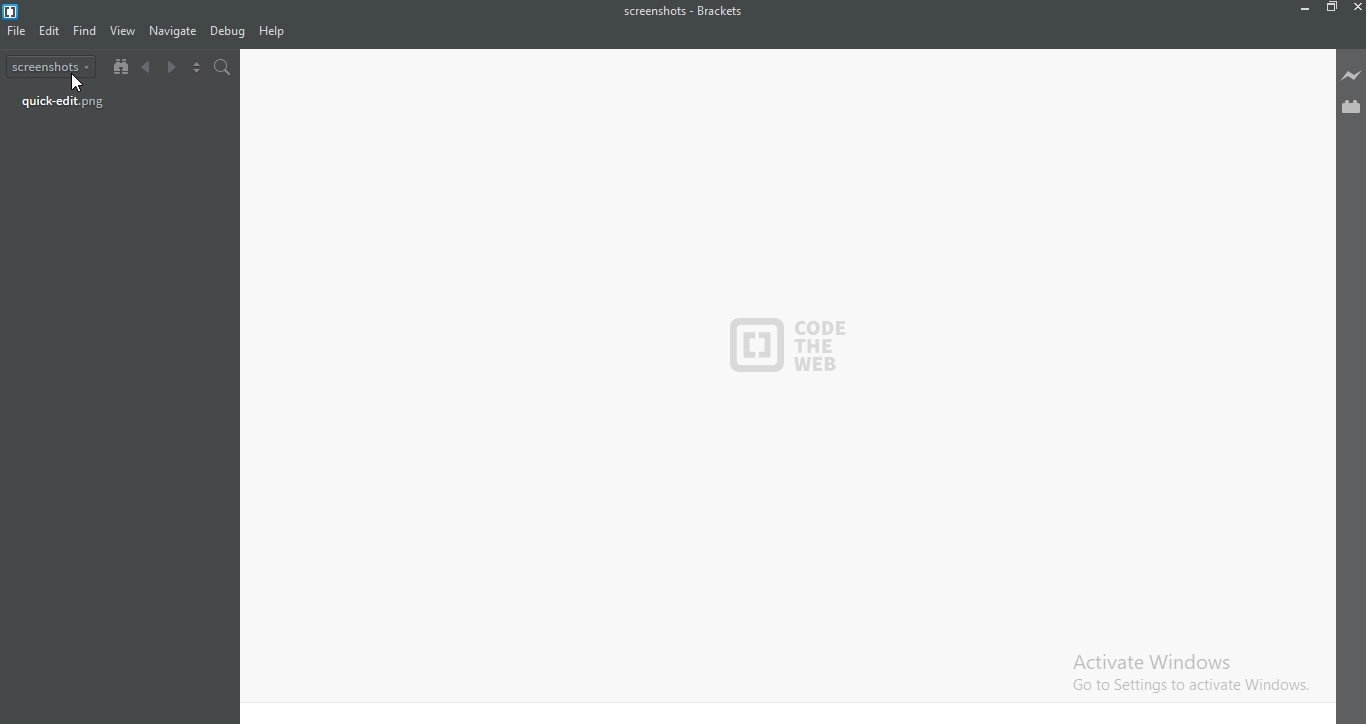  I want to click on Restore, so click(1331, 8).